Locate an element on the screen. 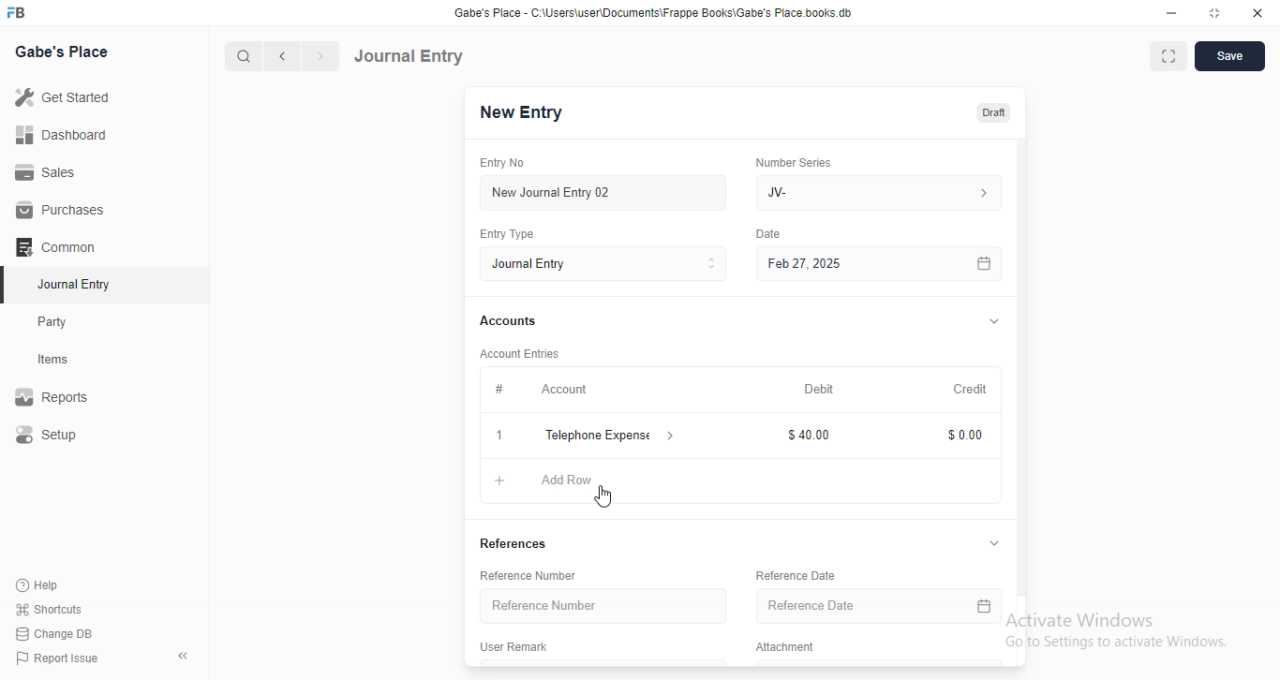  Close is located at coordinates (1259, 13).